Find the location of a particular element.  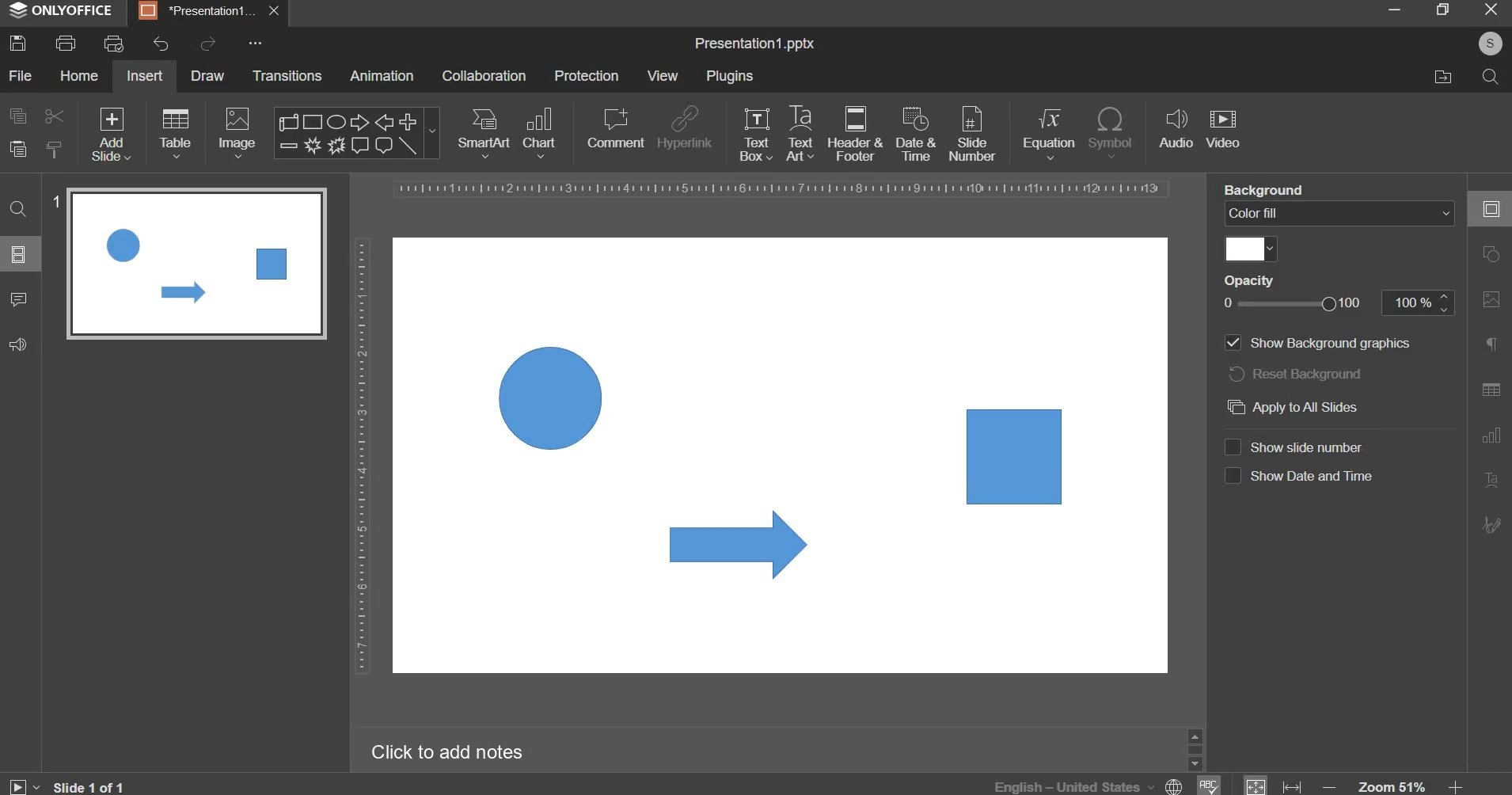

file location is located at coordinates (1442, 77).